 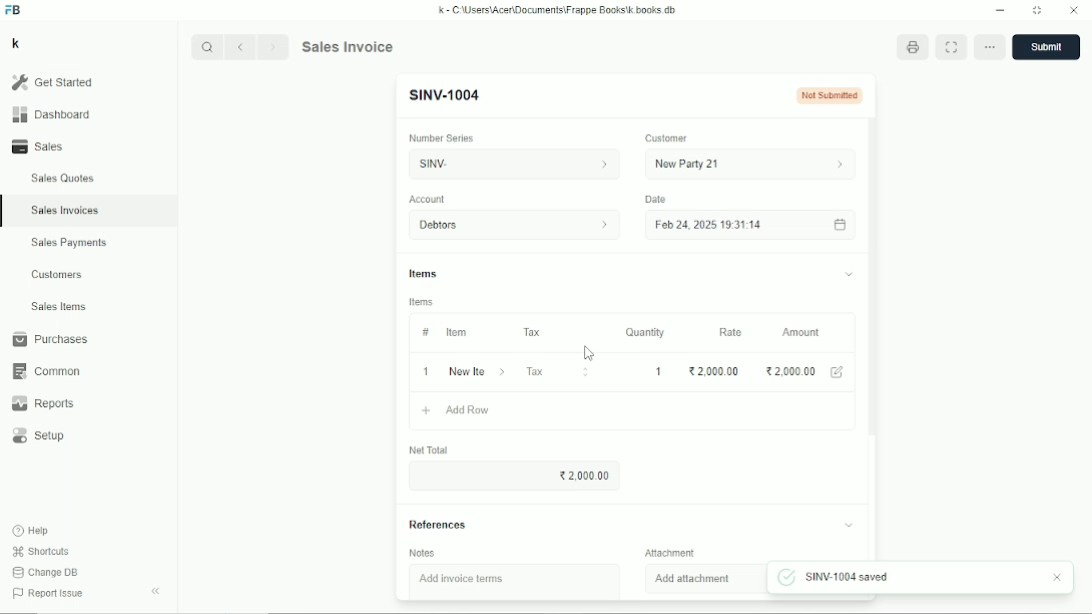 What do you see at coordinates (839, 372) in the screenshot?
I see `Edit` at bounding box center [839, 372].